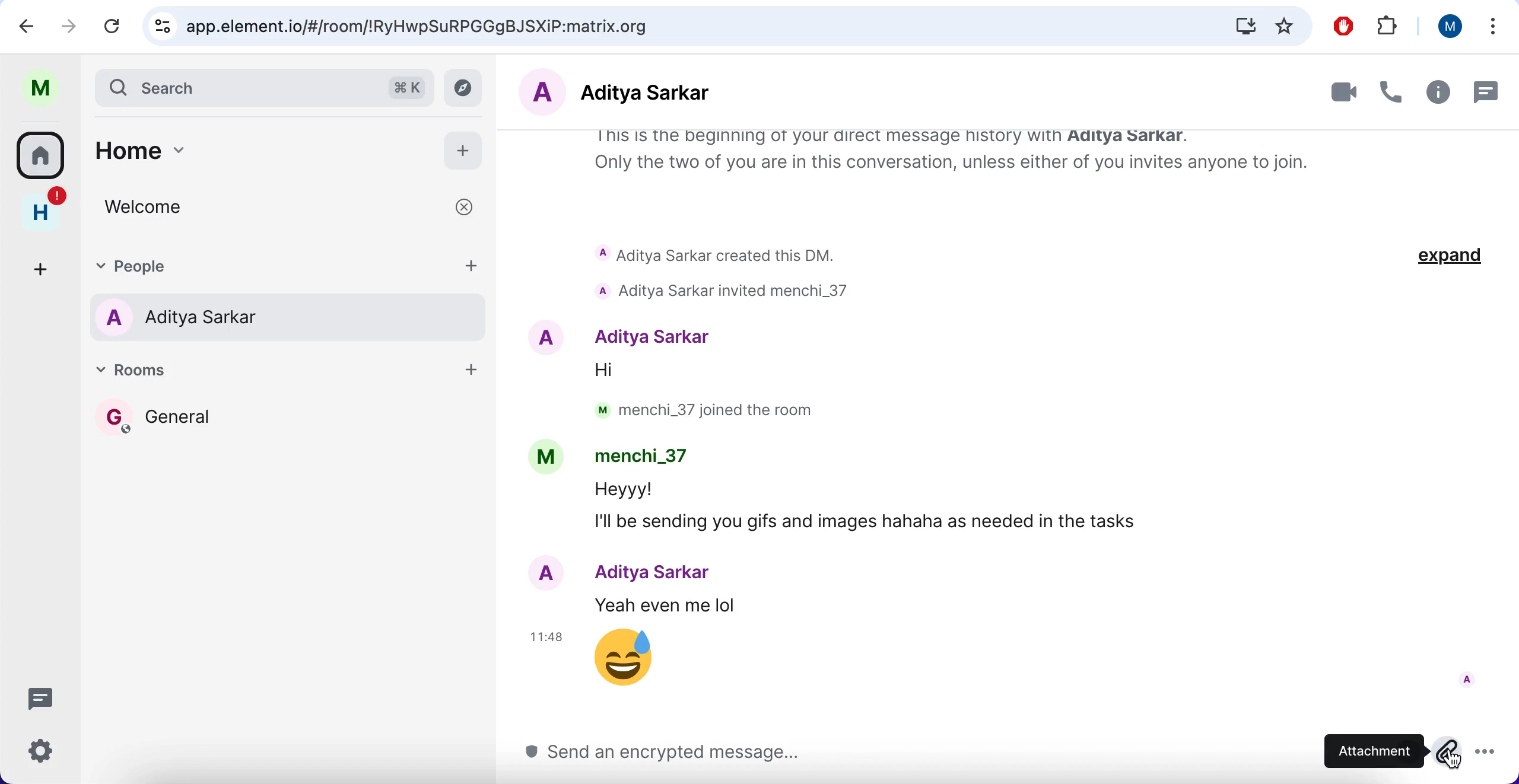 The image size is (1519, 784). I want to click on extensions, so click(1388, 25).